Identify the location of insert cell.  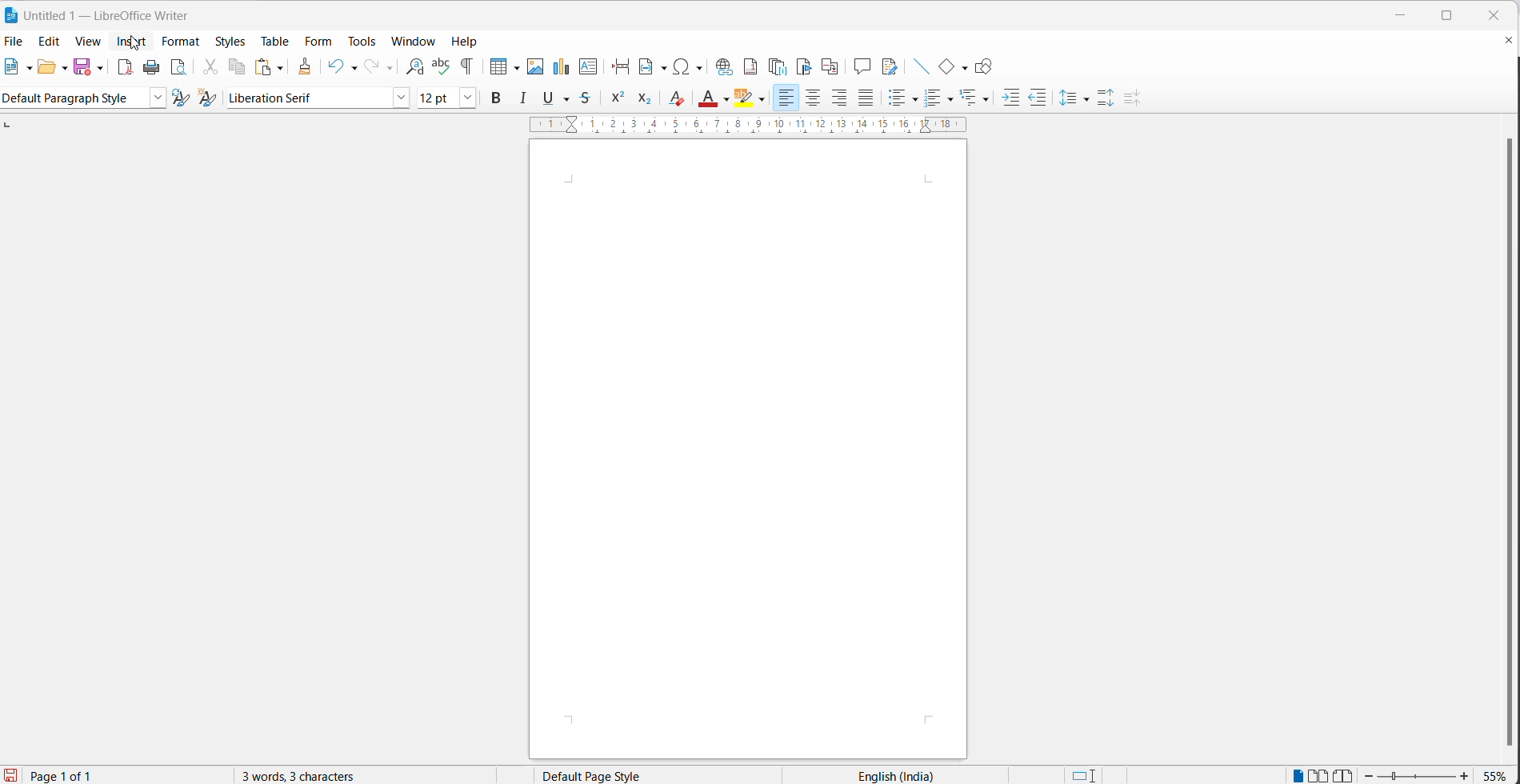
(495, 66).